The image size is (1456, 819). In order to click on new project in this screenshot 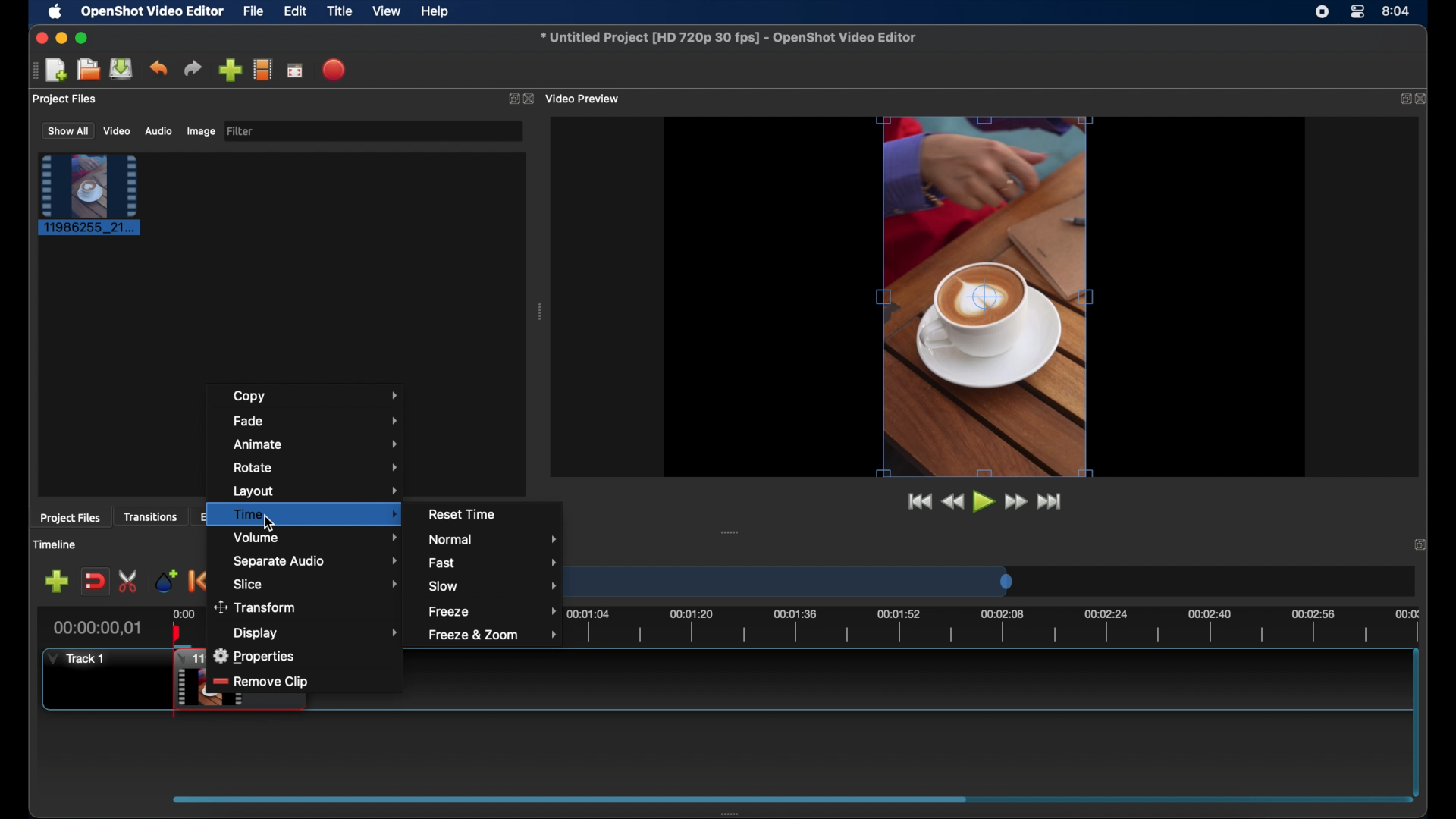, I will do `click(58, 69)`.